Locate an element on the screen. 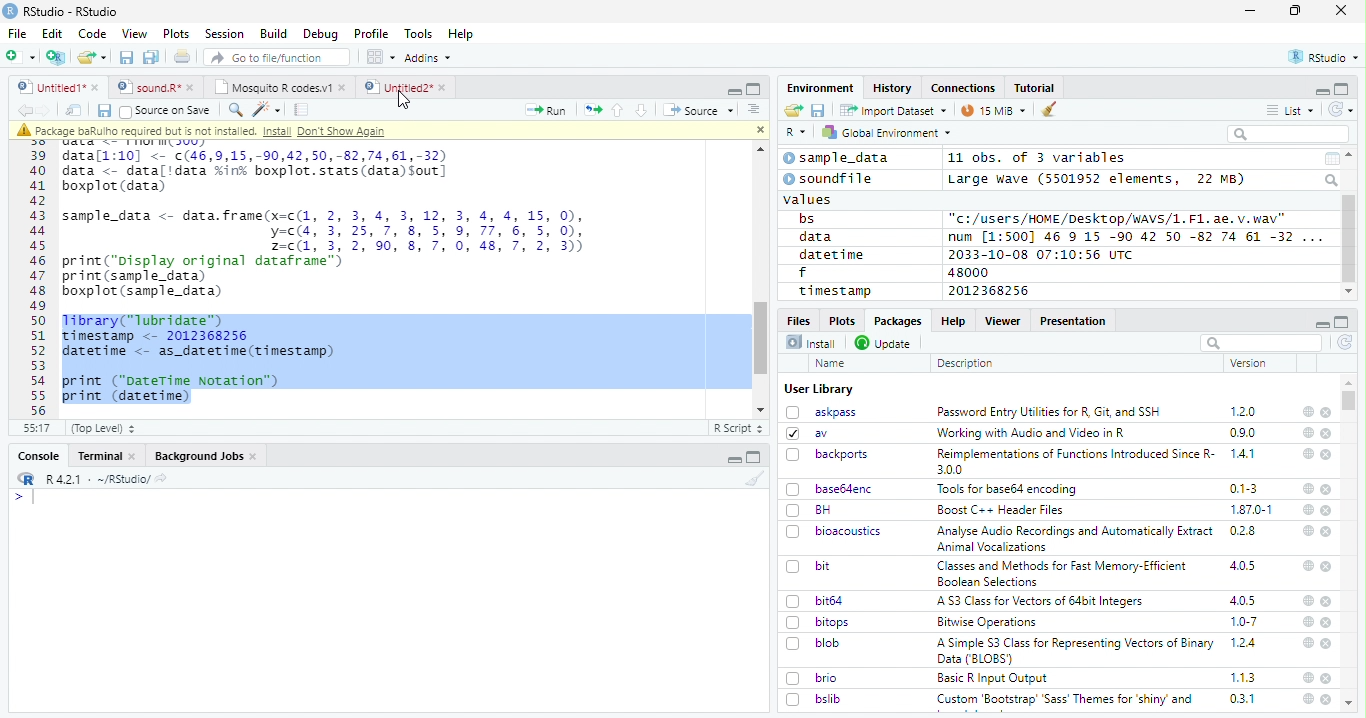 This screenshot has width=1366, height=718. help is located at coordinates (1307, 453).